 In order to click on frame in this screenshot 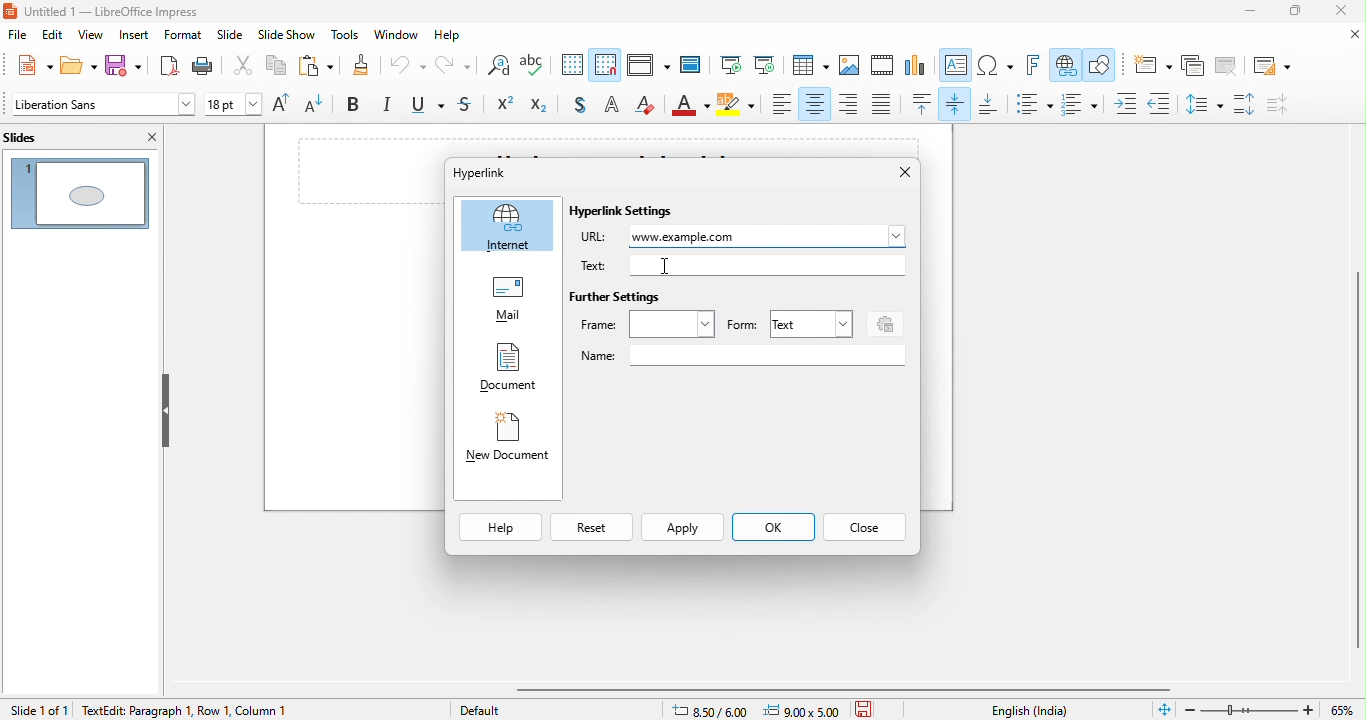, I will do `click(648, 324)`.